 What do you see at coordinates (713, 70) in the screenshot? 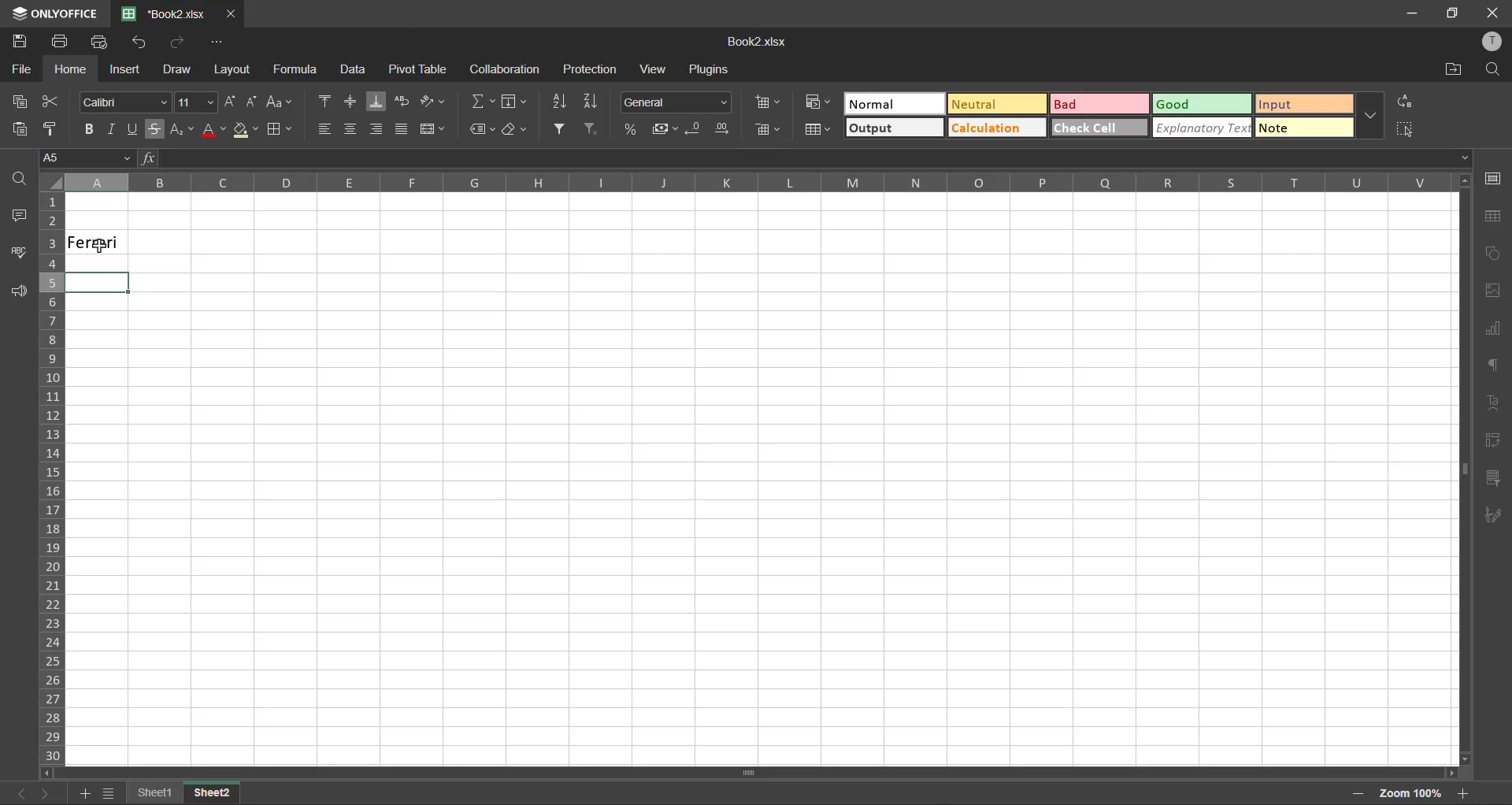
I see `plugins` at bounding box center [713, 70].